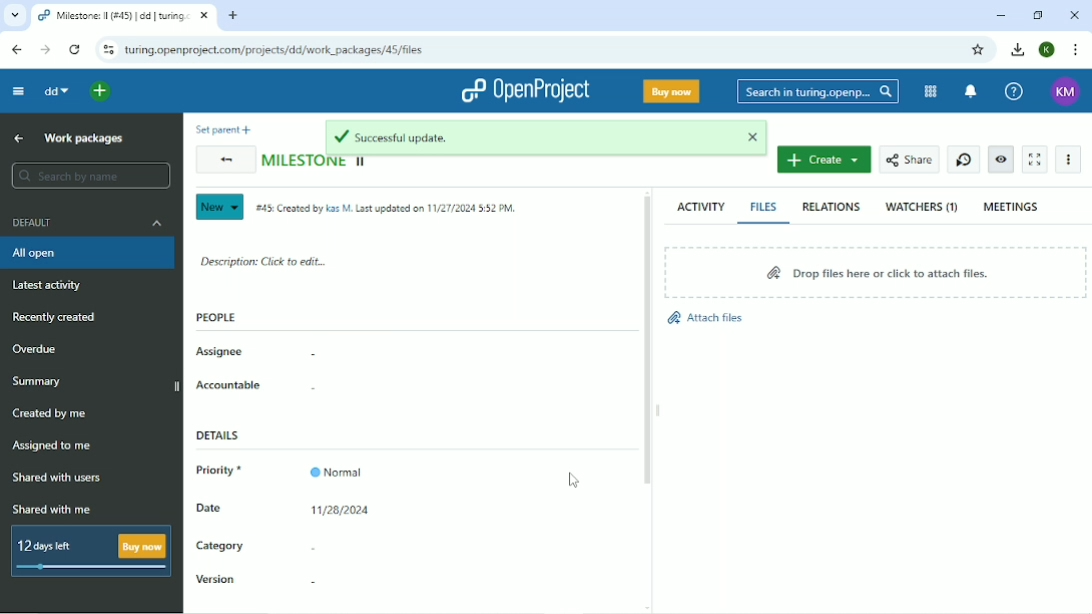  What do you see at coordinates (311, 582) in the screenshot?
I see `-` at bounding box center [311, 582].